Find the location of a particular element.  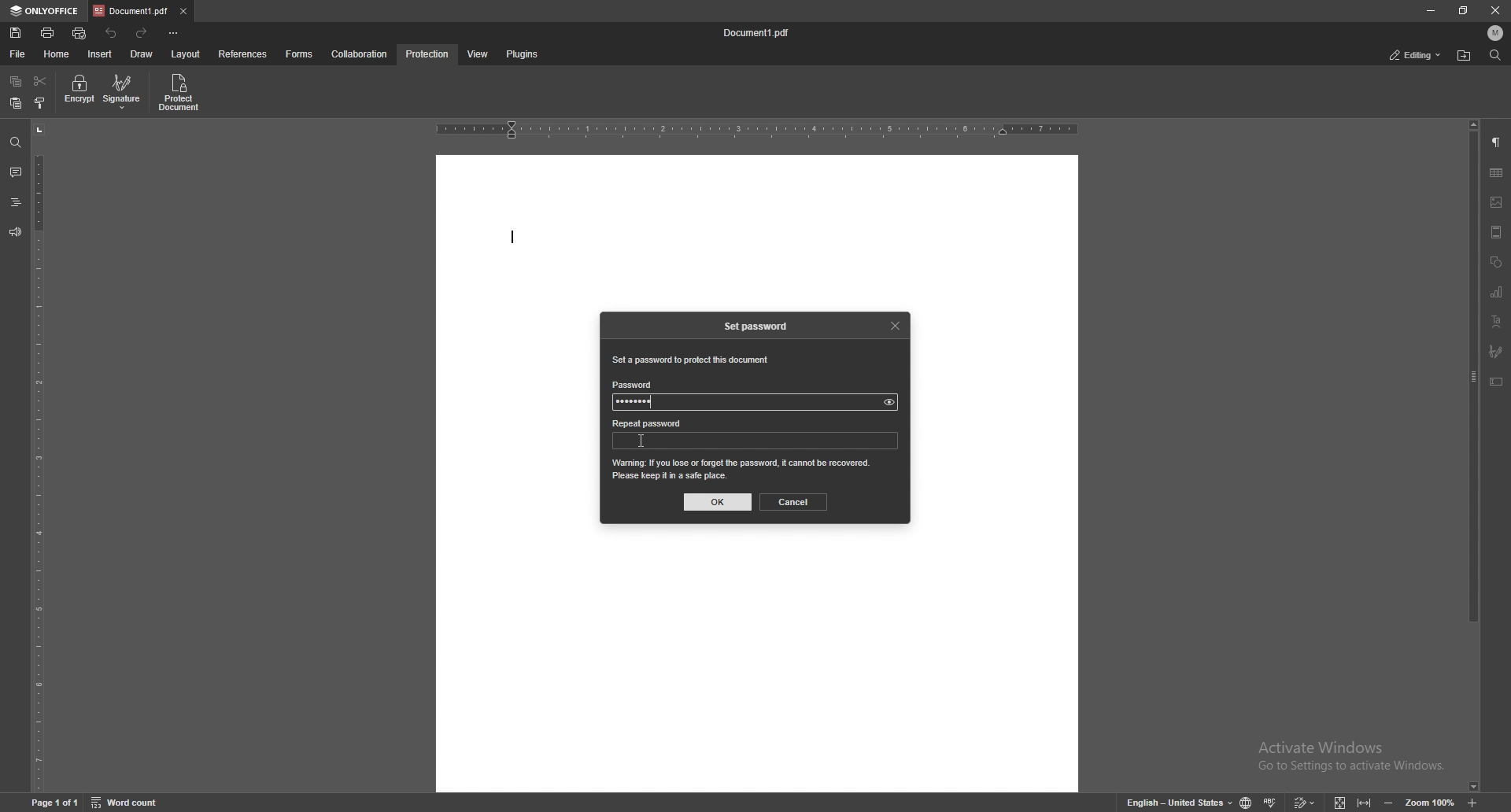

password input is located at coordinates (755, 441).